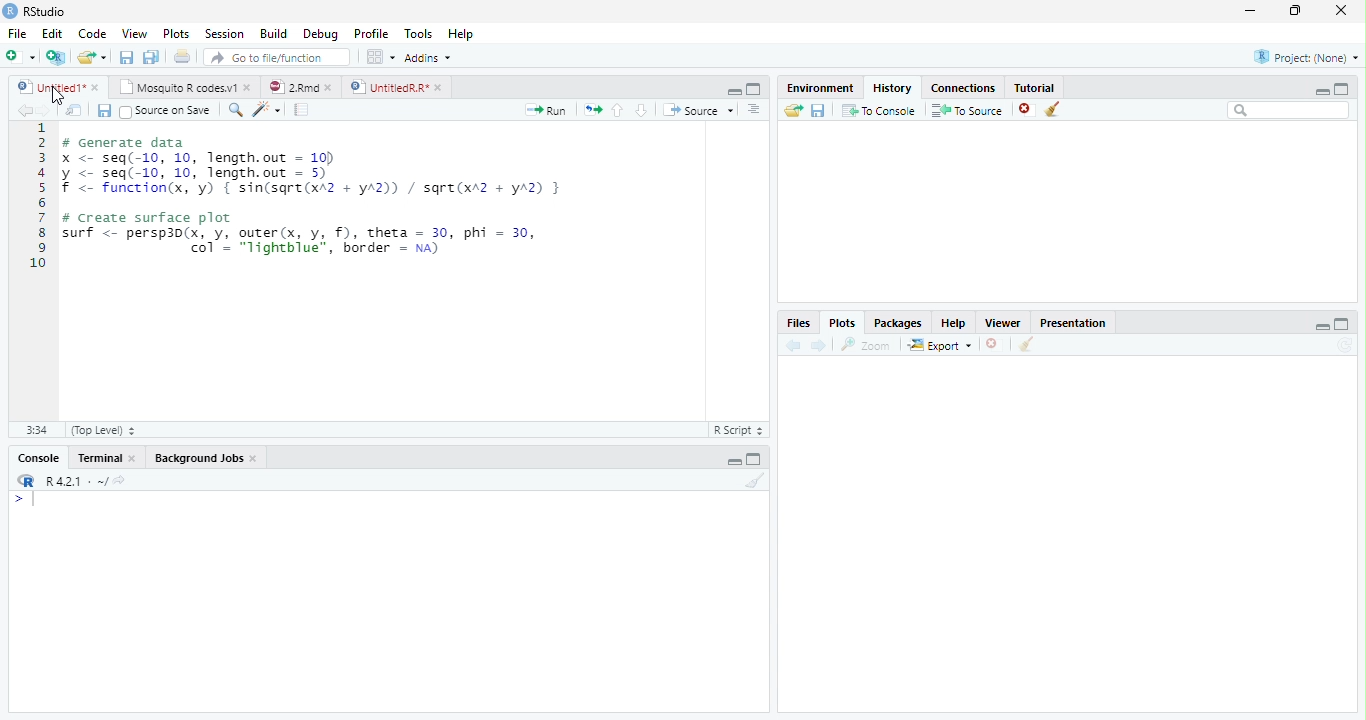 The width and height of the screenshot is (1366, 720). I want to click on Create a project, so click(54, 57).